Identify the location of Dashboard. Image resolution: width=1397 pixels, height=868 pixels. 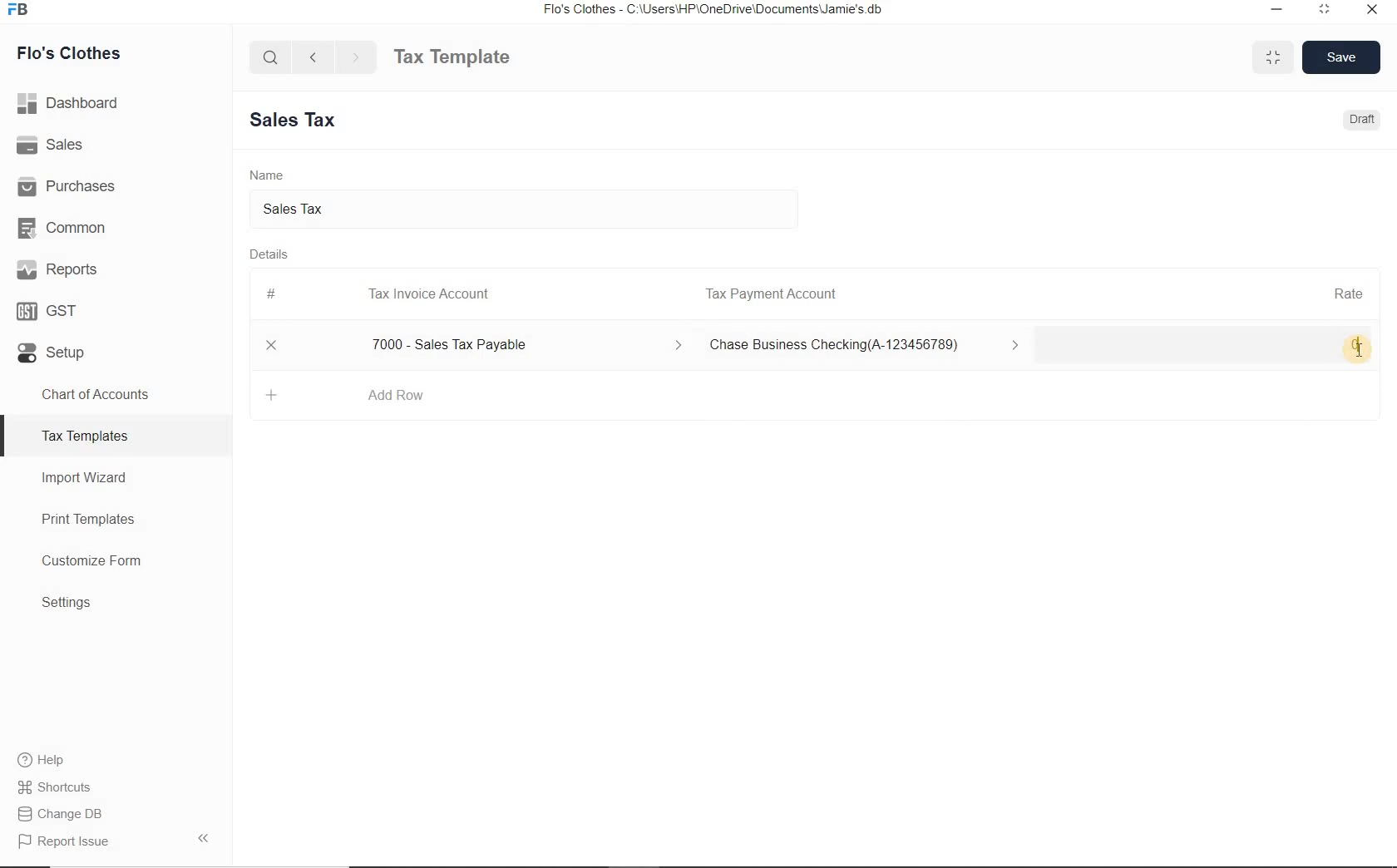
(116, 103).